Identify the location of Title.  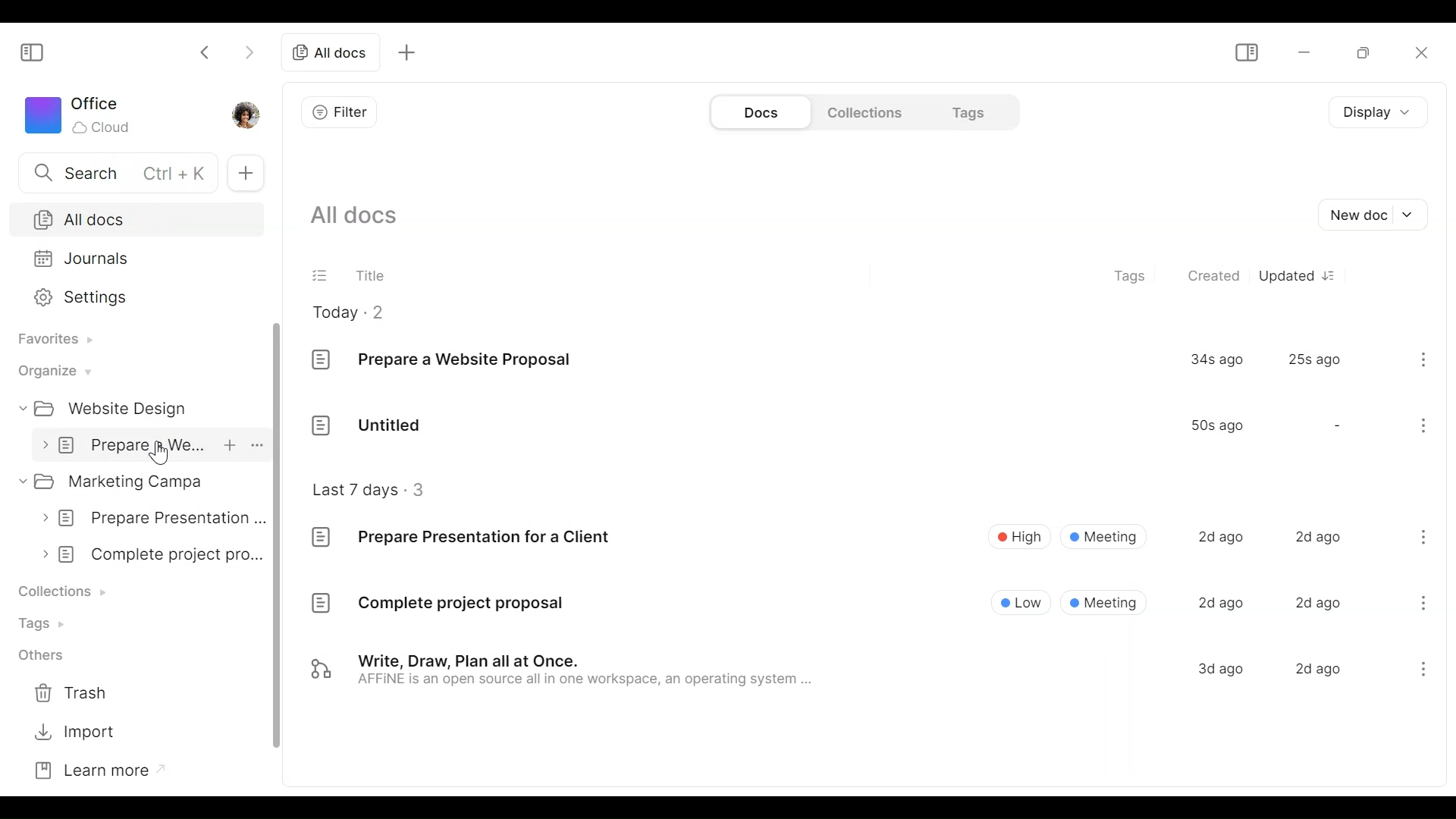
(377, 278).